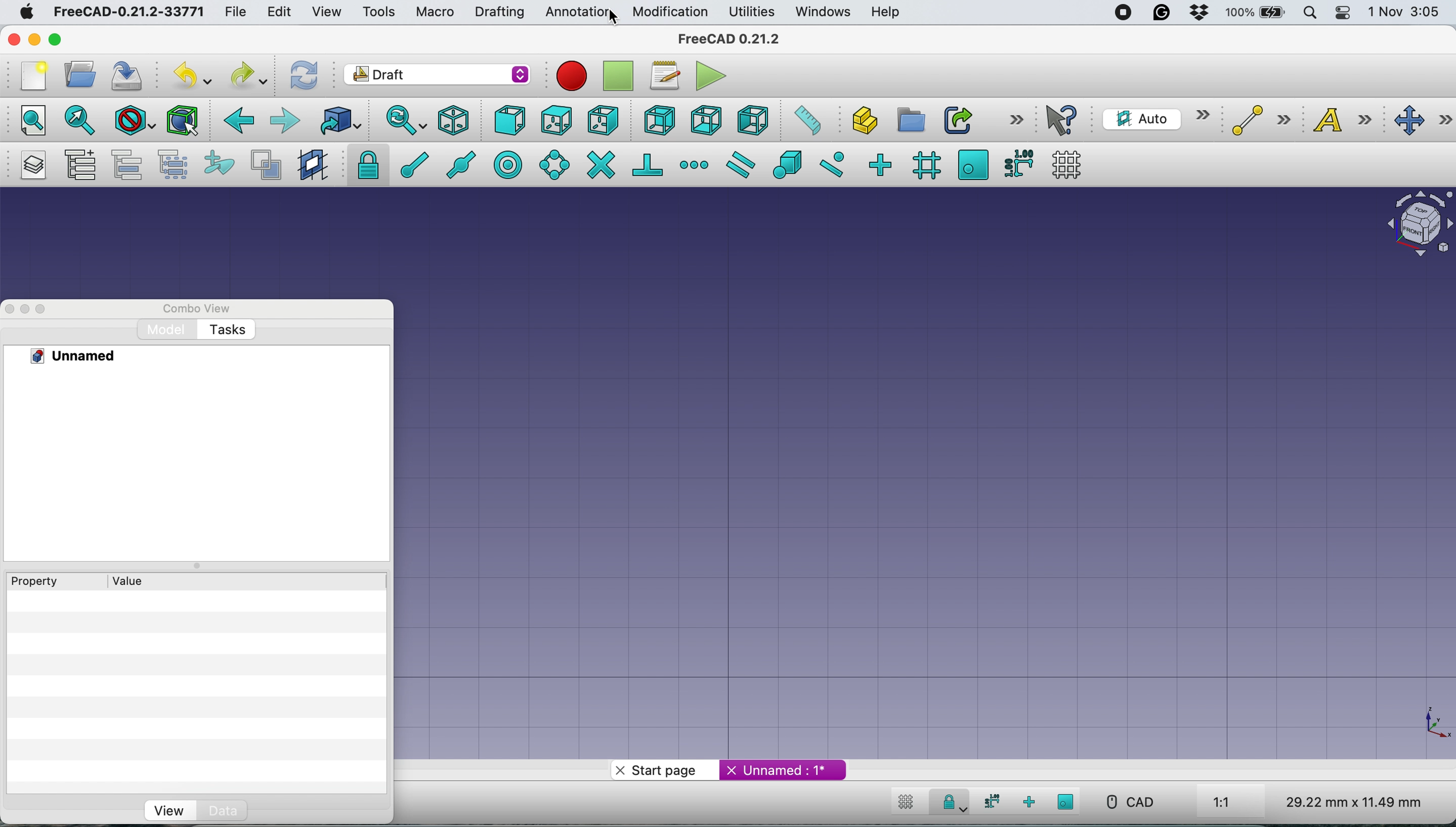  Describe the element at coordinates (432, 11) in the screenshot. I see `macro` at that location.